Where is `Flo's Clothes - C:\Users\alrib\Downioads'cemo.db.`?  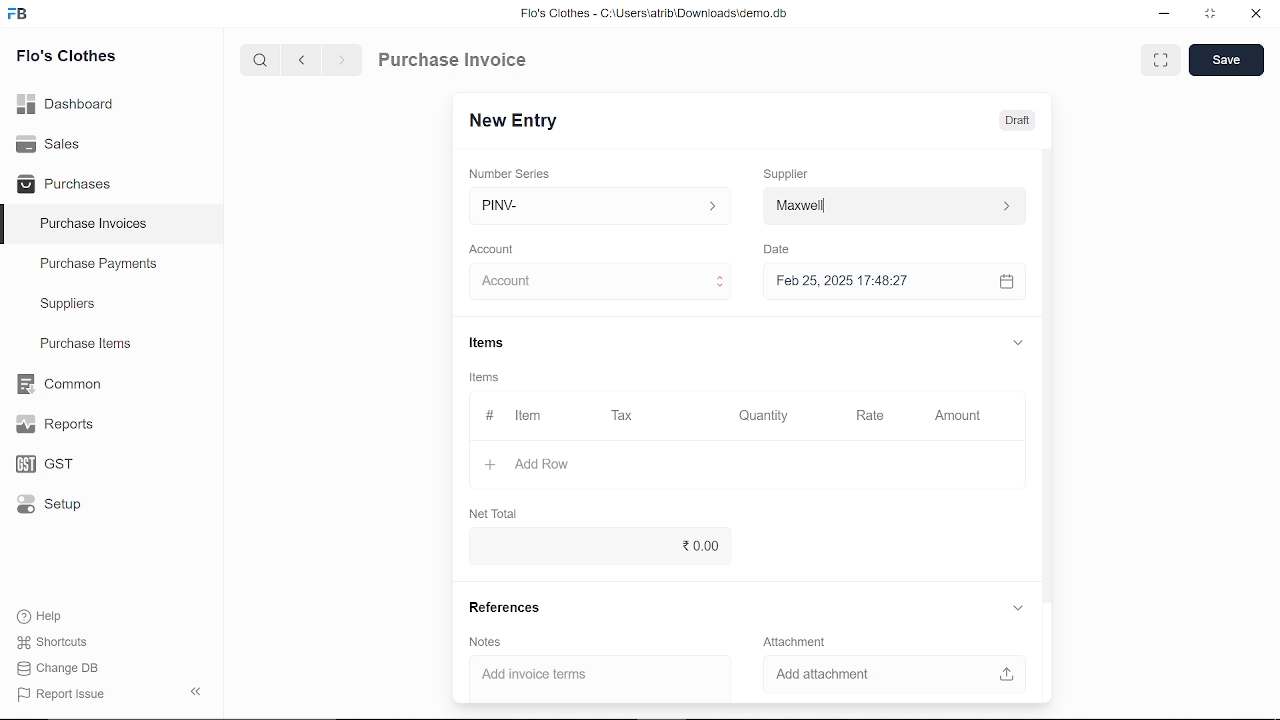
Flo's Clothes - C:\Users\alrib\Downioads'cemo.db. is located at coordinates (653, 17).